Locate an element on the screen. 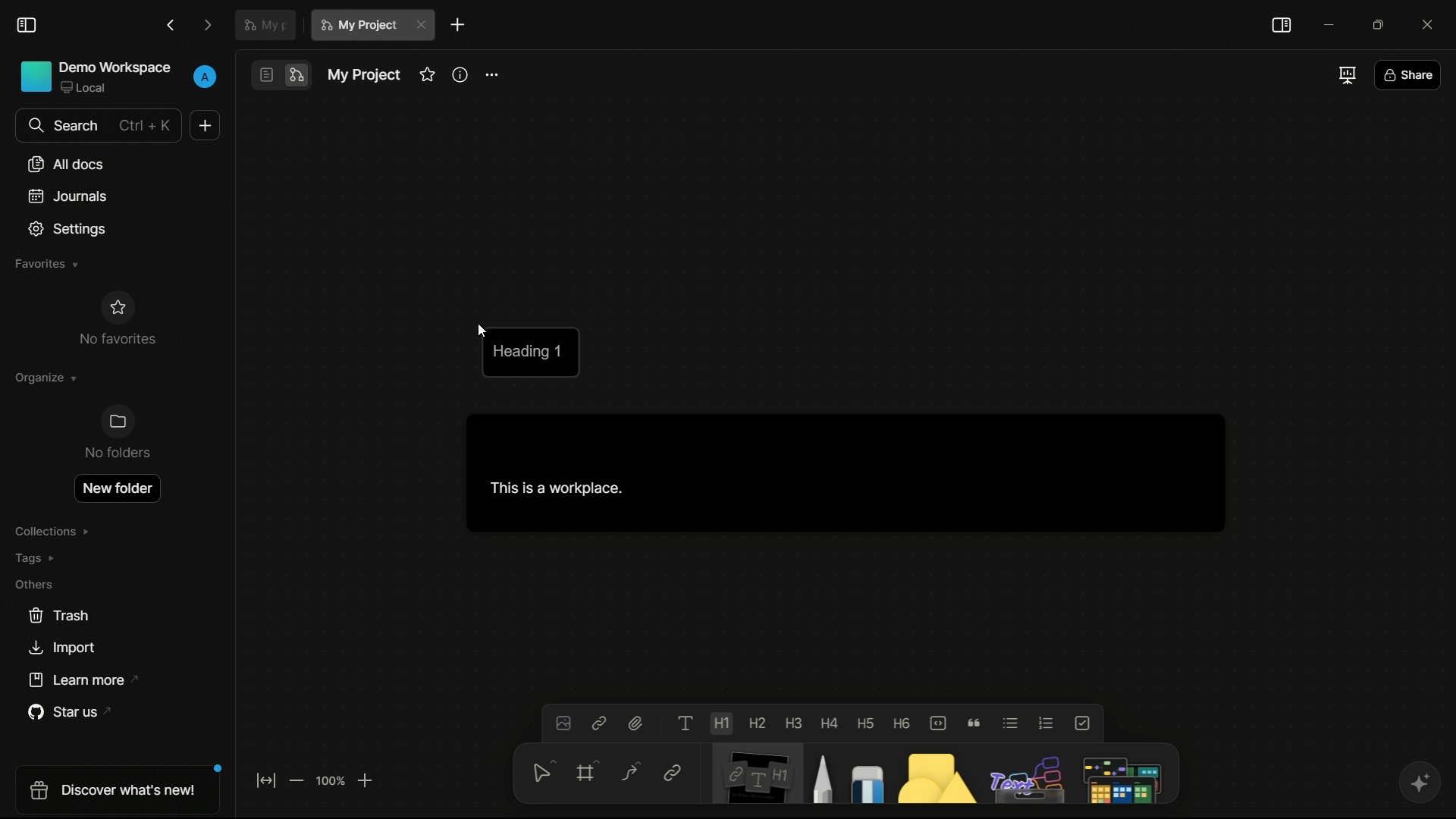 This screenshot has width=1456, height=819. eraser is located at coordinates (863, 773).